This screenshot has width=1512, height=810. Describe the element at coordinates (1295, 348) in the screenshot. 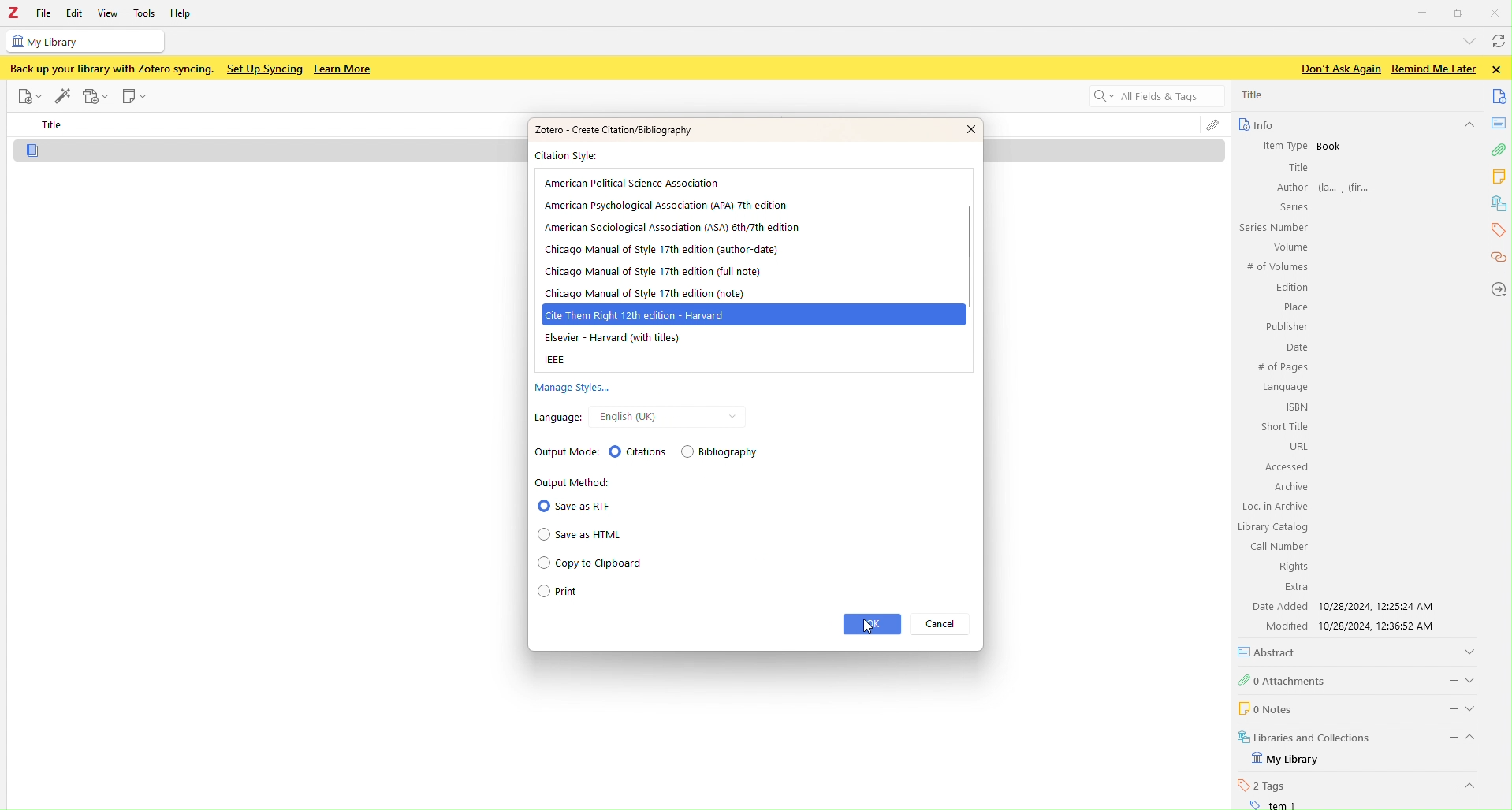

I see `Date` at that location.